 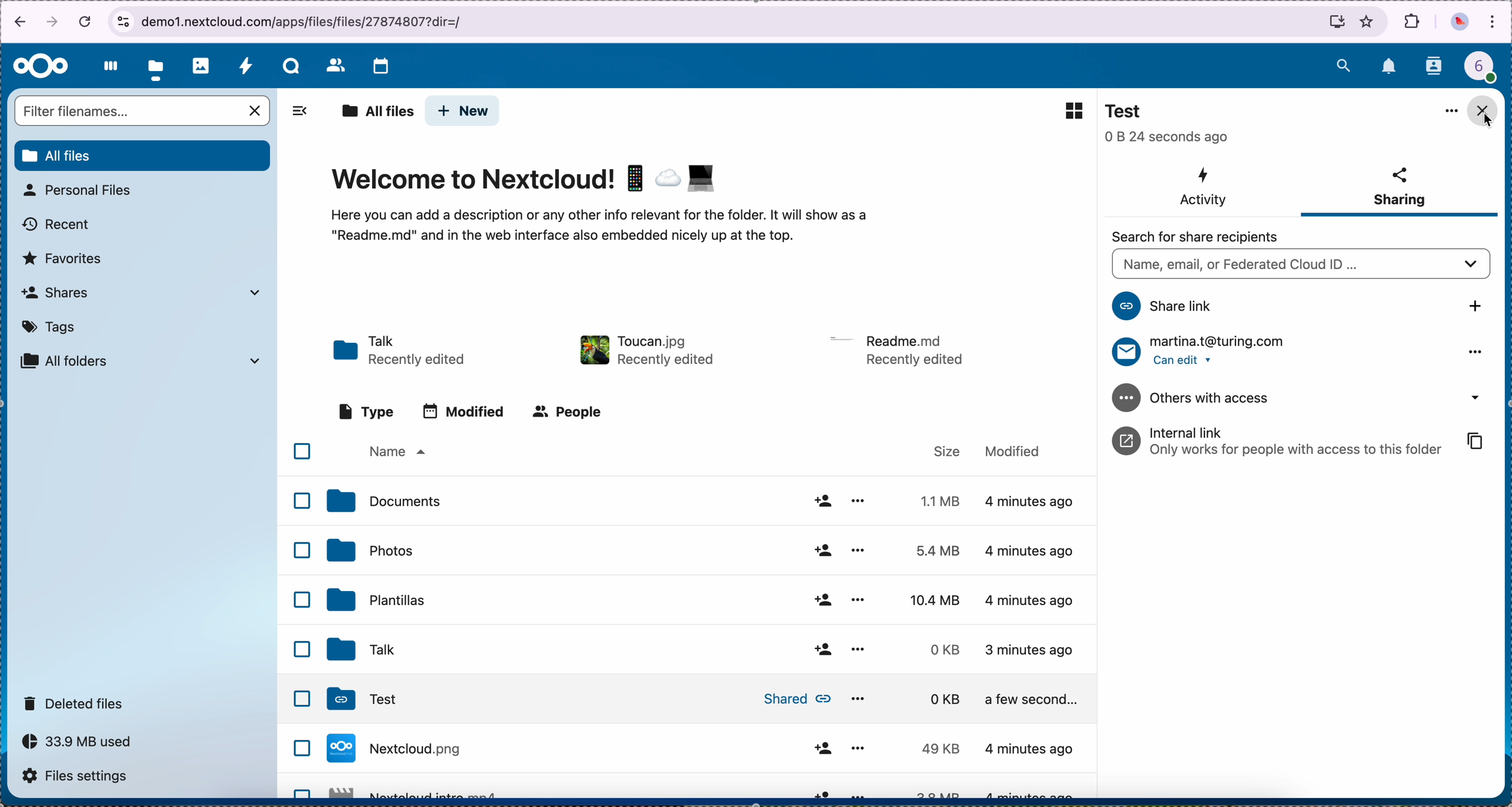 I want to click on click on files button, so click(x=158, y=66).